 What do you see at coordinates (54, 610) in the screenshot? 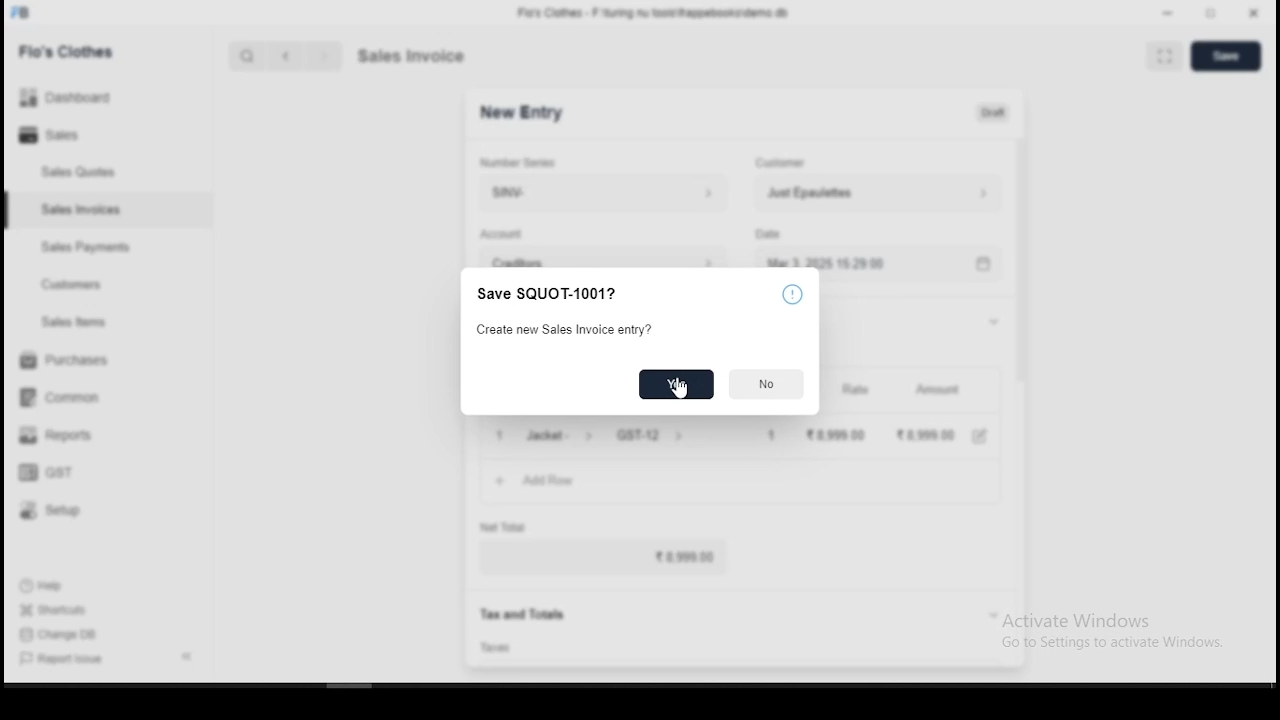
I see `shortouts` at bounding box center [54, 610].